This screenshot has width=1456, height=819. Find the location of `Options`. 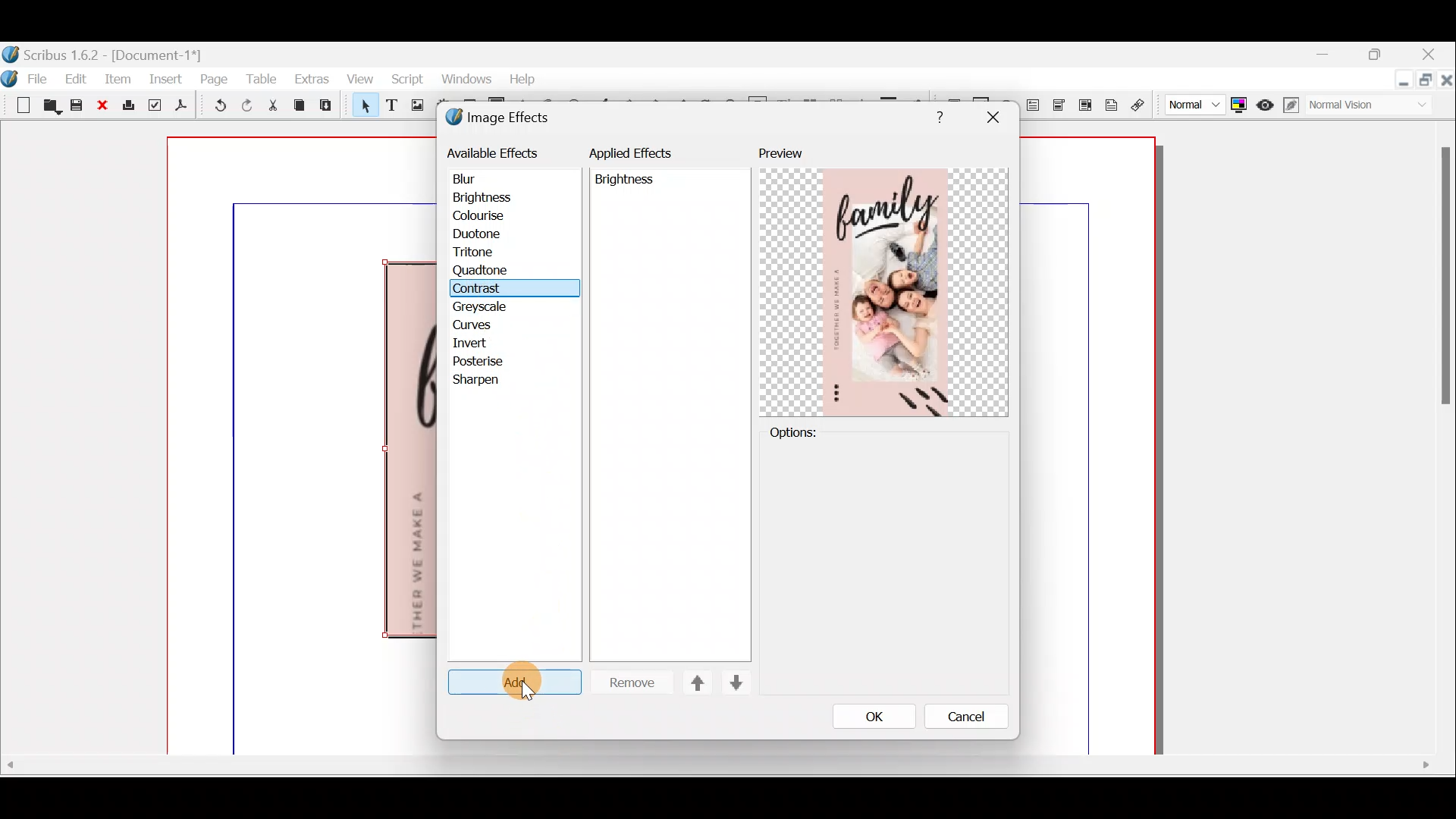

Options is located at coordinates (818, 433).